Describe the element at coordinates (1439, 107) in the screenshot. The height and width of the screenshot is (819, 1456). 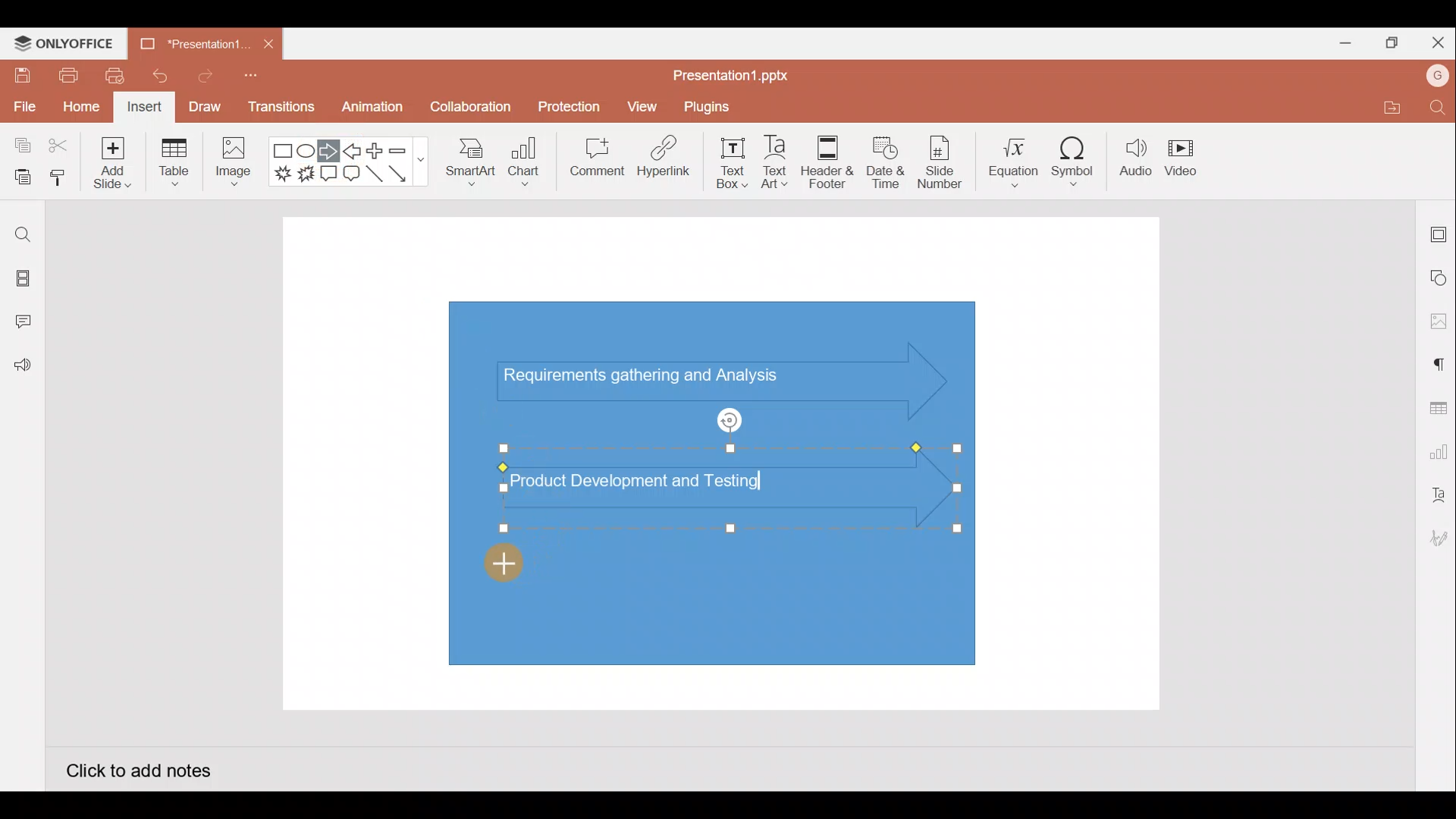
I see `Find` at that location.